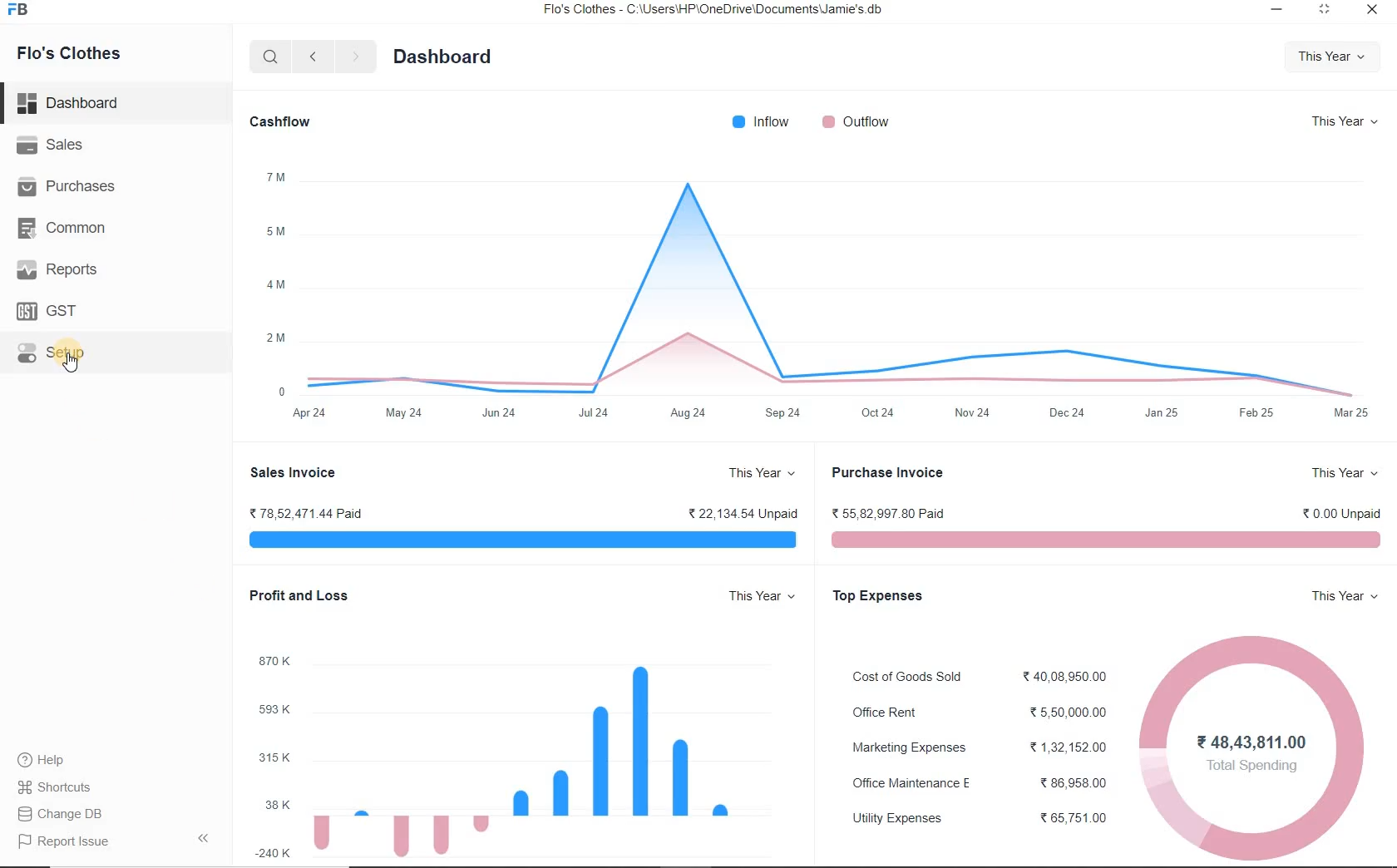 The image size is (1397, 868). Describe the element at coordinates (900, 821) in the screenshot. I see `utility expenses` at that location.